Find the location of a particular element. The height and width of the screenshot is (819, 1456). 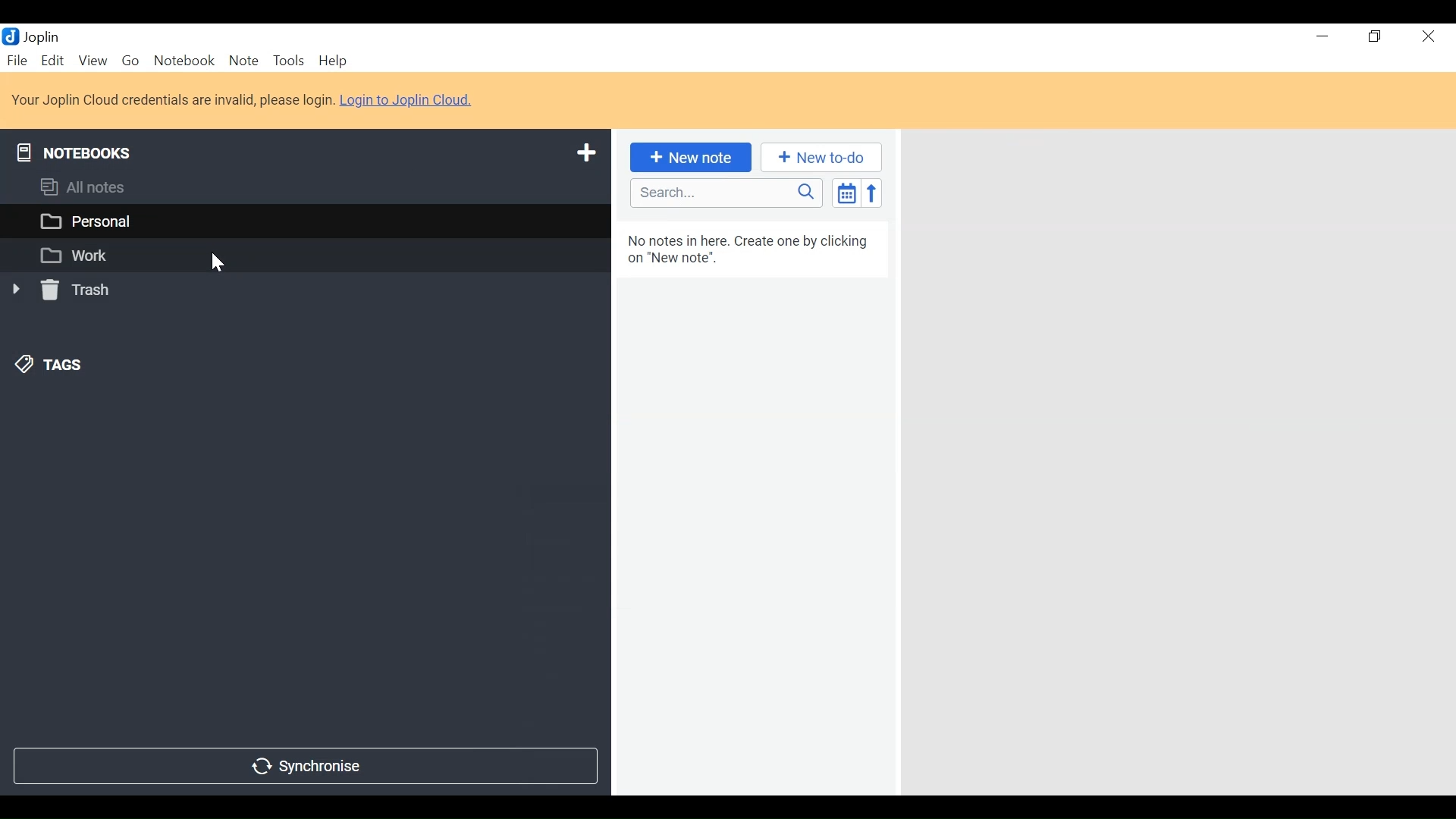

Close is located at coordinates (1431, 36).